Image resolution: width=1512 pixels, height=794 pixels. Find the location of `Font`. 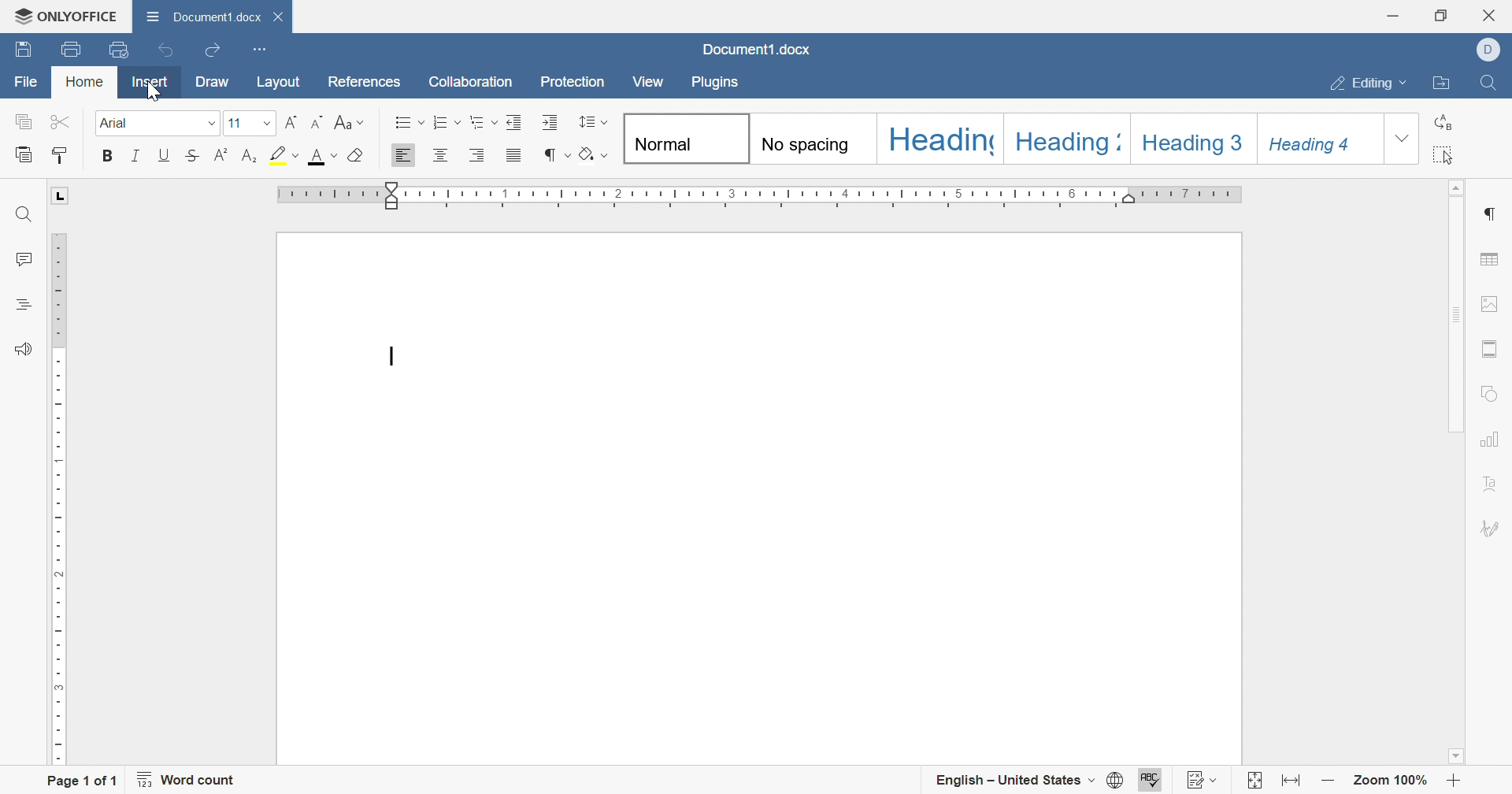

Font is located at coordinates (157, 123).